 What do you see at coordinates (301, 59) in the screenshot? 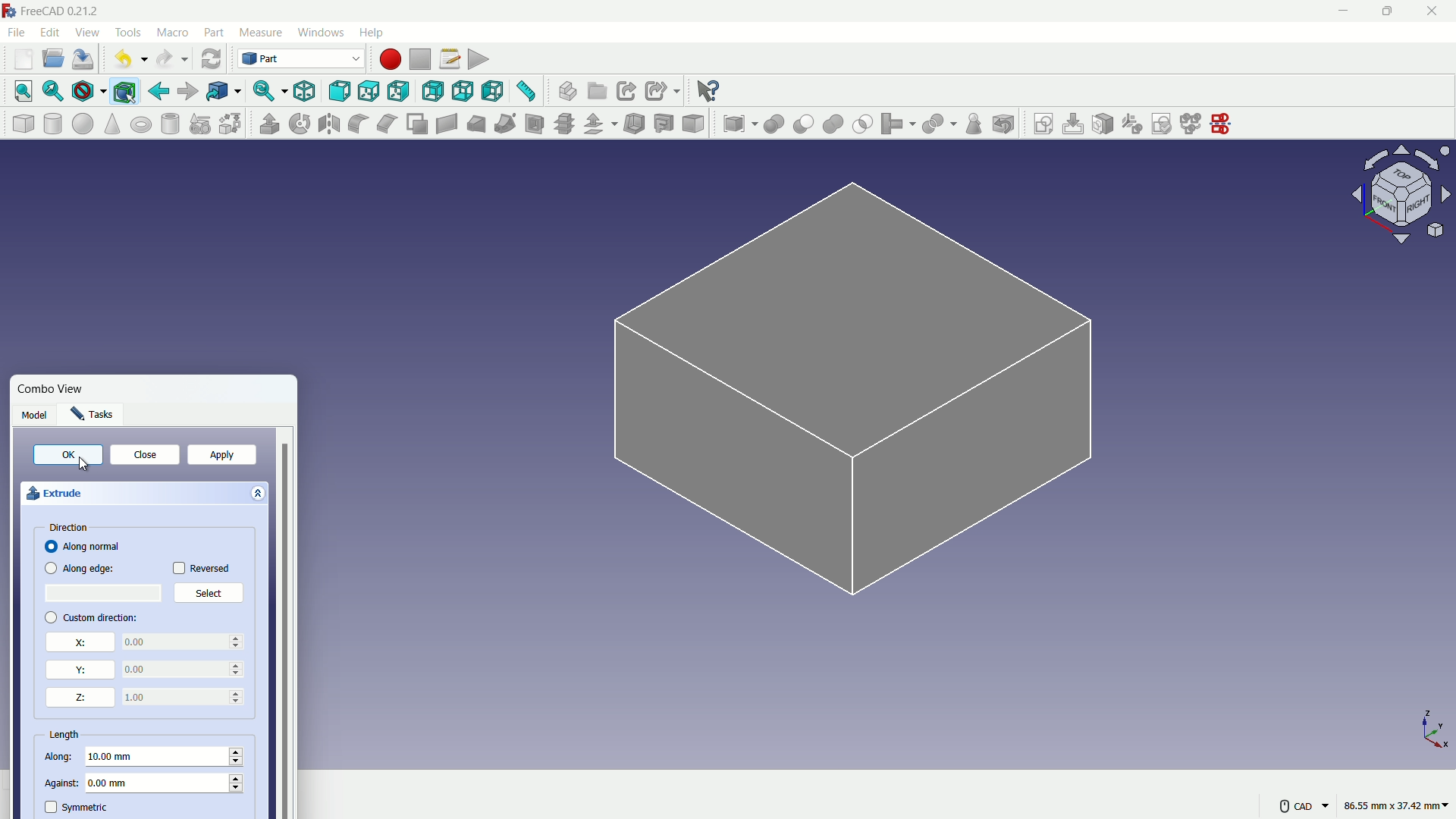
I see `switch workbenches` at bounding box center [301, 59].